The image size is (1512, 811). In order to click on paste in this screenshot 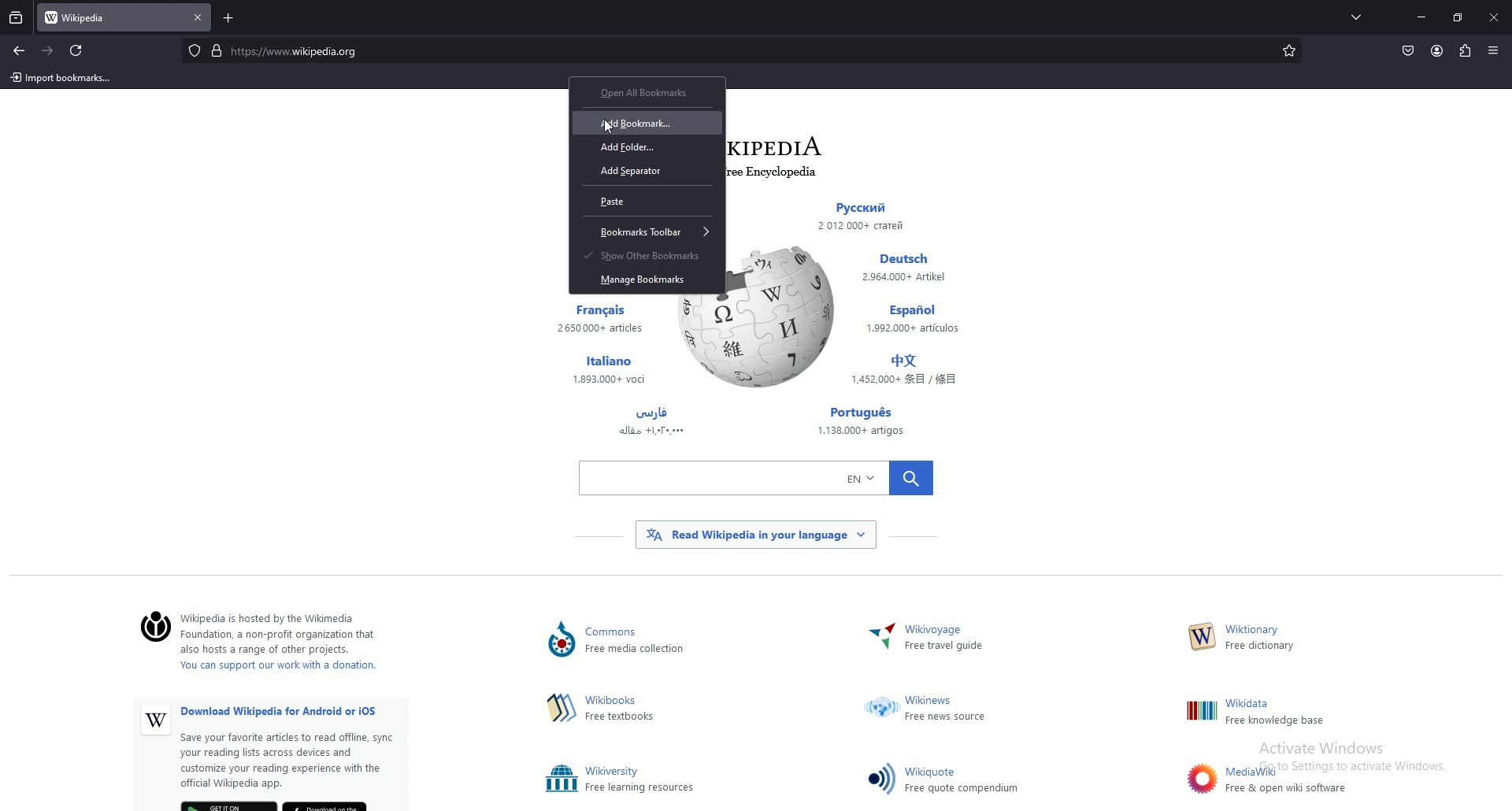, I will do `click(648, 201)`.